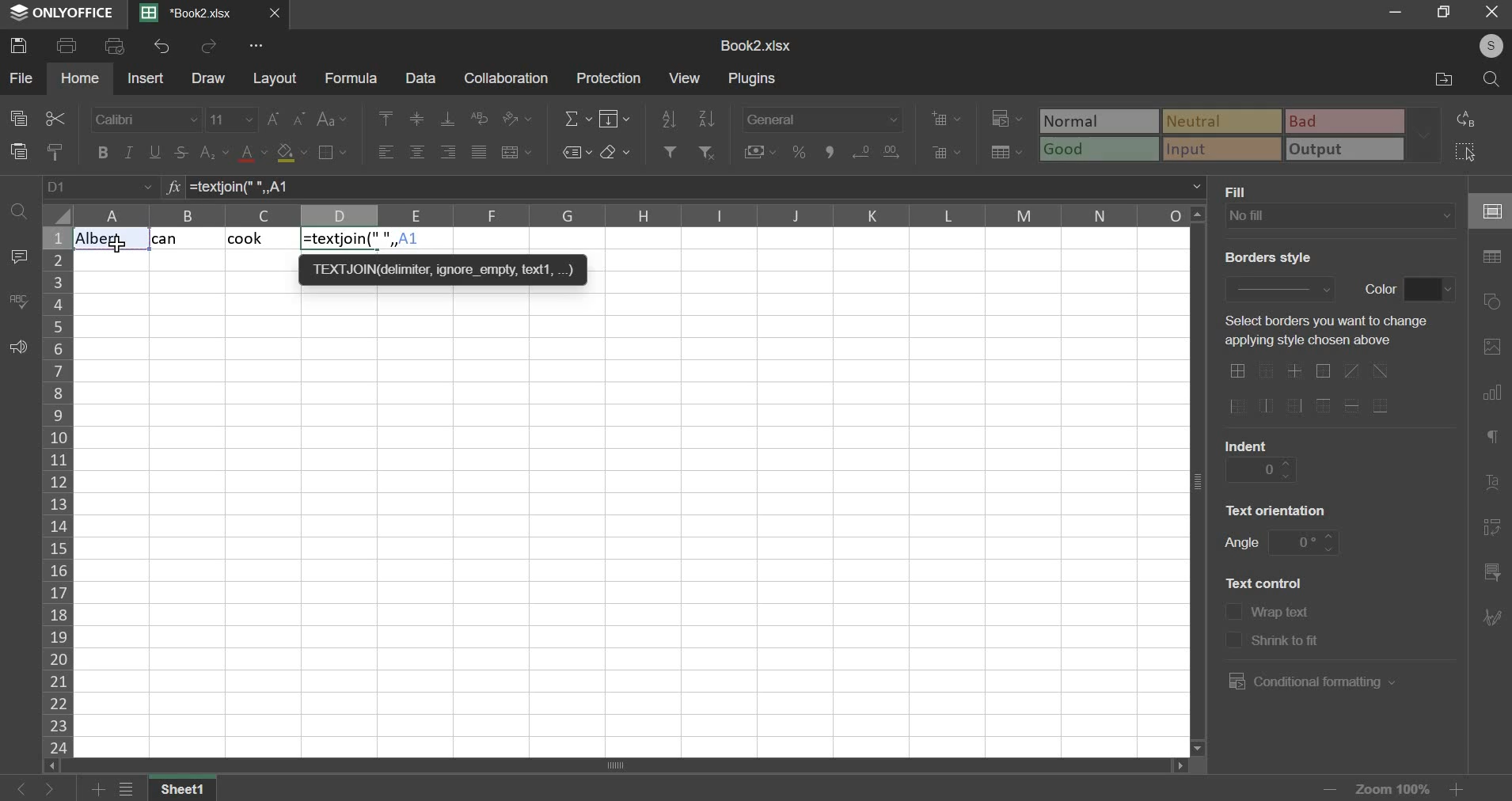 This screenshot has height=801, width=1512. I want to click on merge & center, so click(517, 152).